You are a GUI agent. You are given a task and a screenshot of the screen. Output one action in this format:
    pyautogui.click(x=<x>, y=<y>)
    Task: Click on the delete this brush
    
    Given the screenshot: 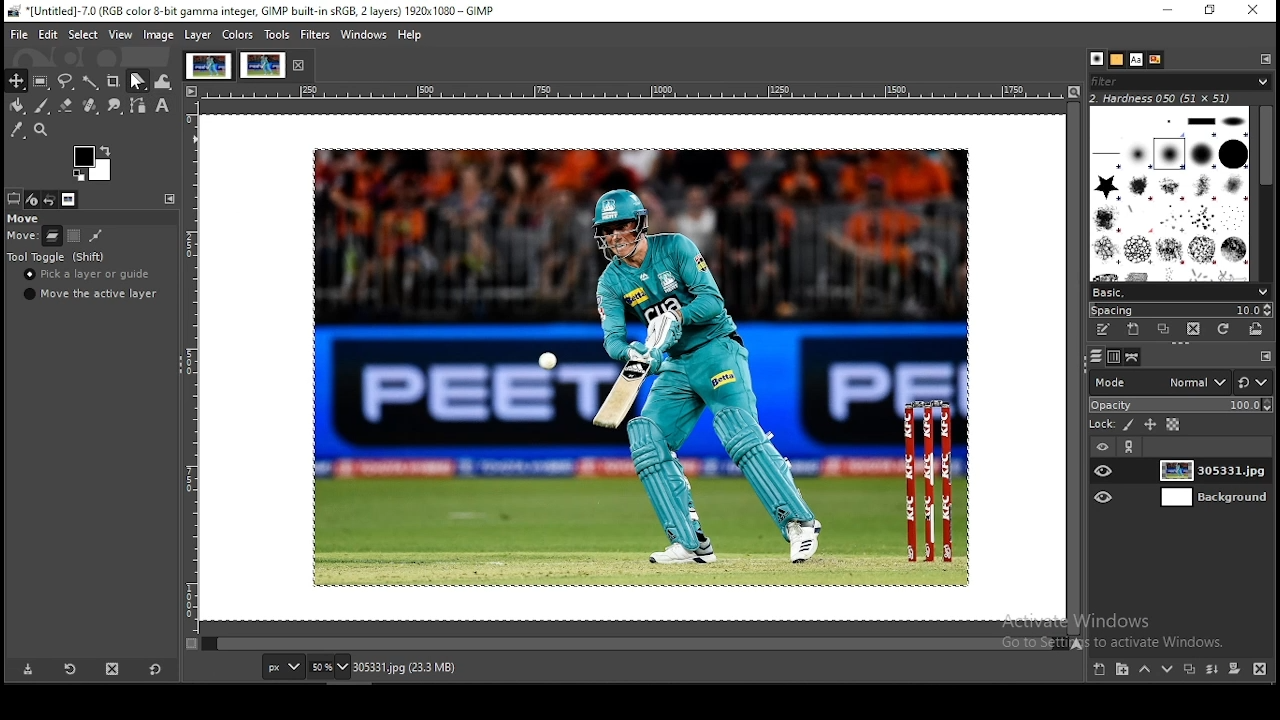 What is the action you would take?
    pyautogui.click(x=1193, y=329)
    